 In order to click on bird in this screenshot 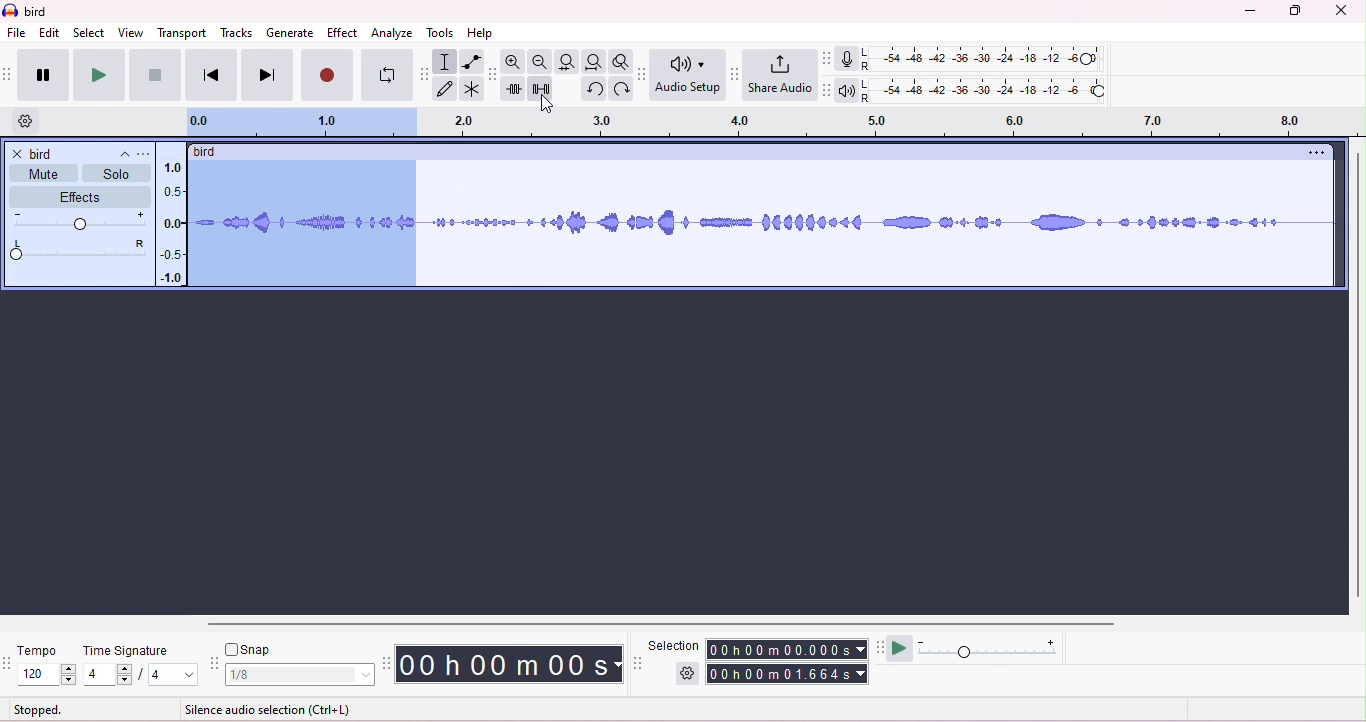, I will do `click(38, 13)`.